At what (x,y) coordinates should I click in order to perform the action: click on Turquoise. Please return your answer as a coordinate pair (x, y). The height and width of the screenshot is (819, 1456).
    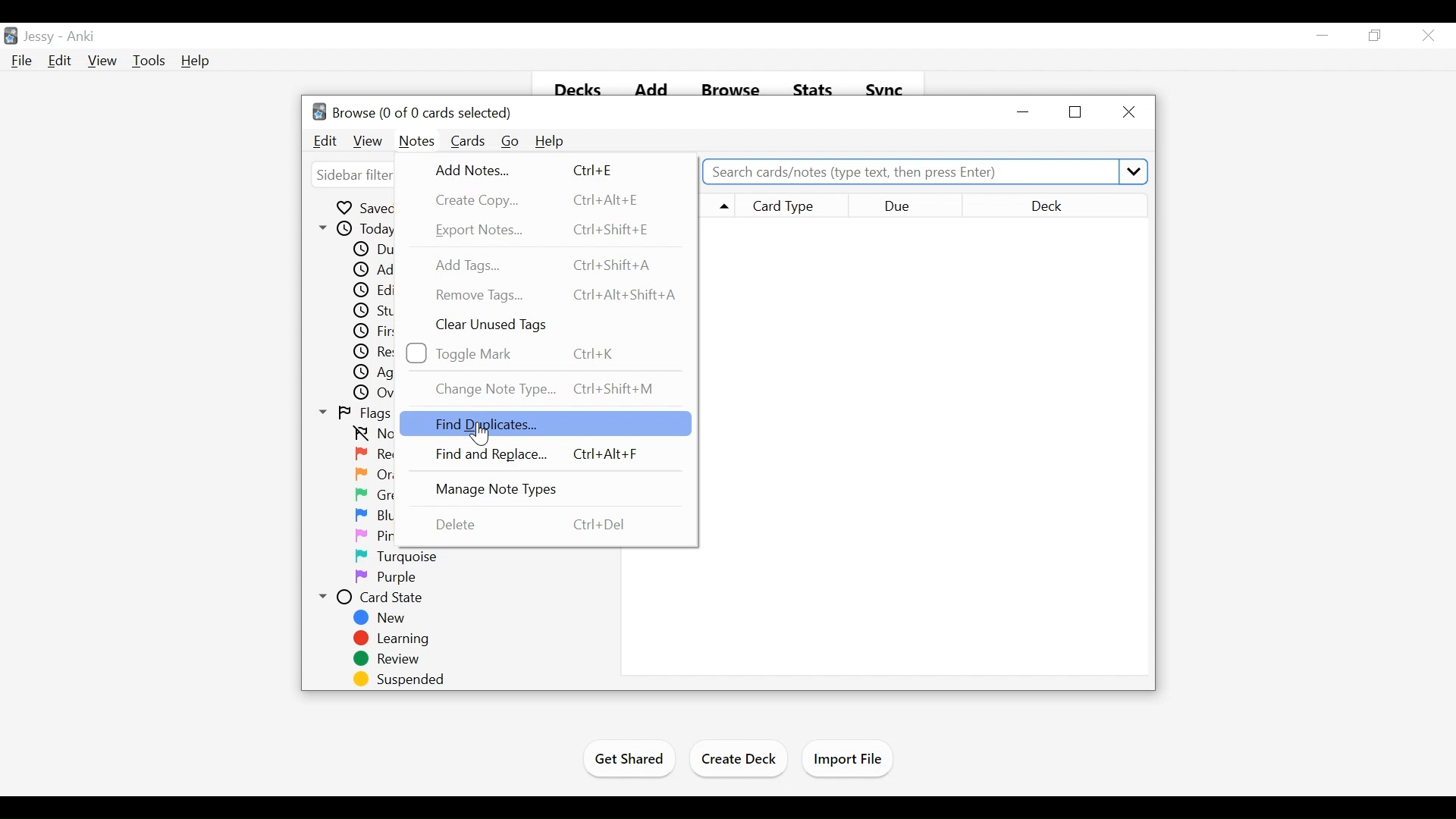
    Looking at the image, I should click on (403, 557).